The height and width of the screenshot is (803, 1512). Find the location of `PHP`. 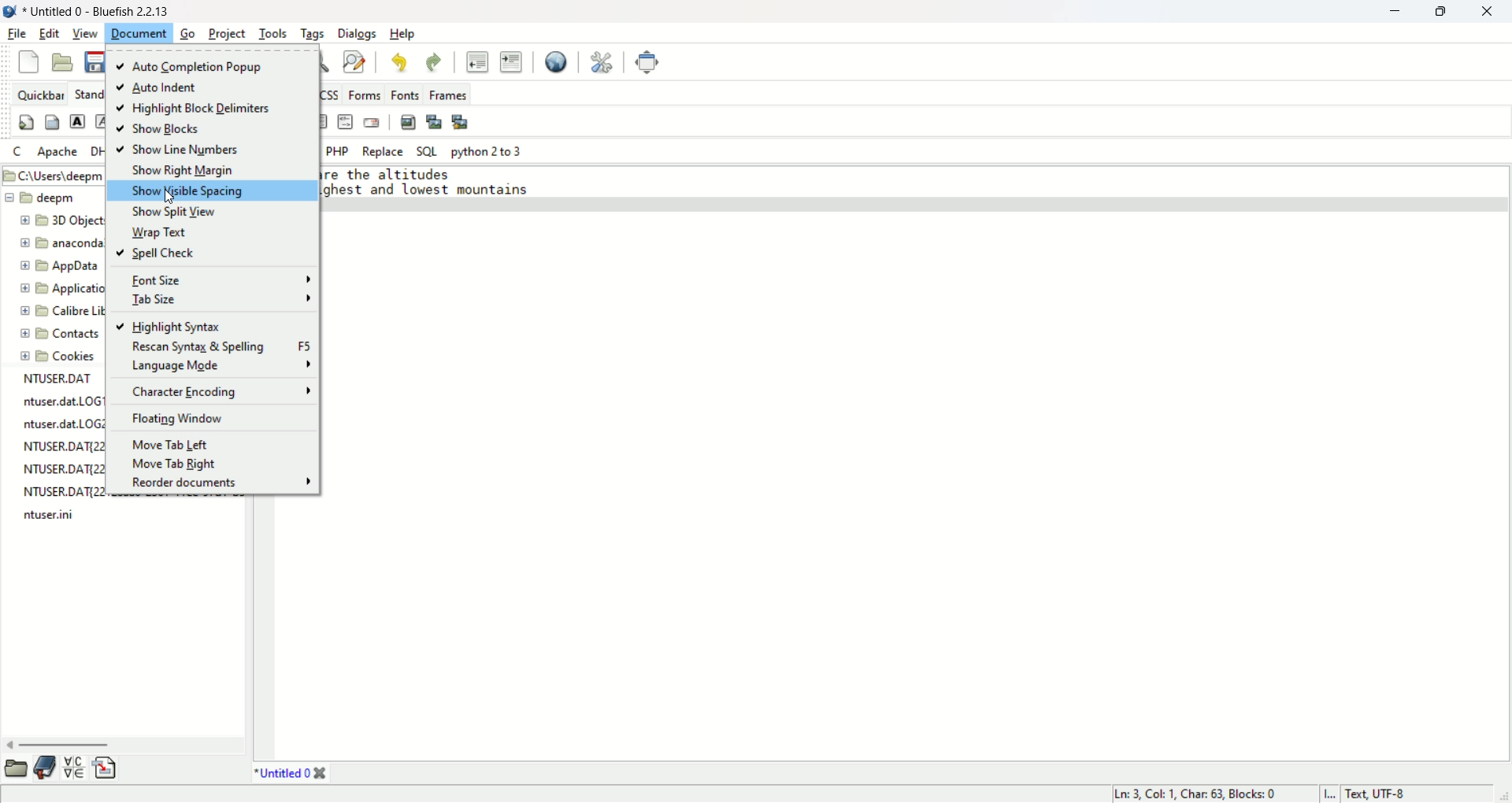

PHP is located at coordinates (338, 151).